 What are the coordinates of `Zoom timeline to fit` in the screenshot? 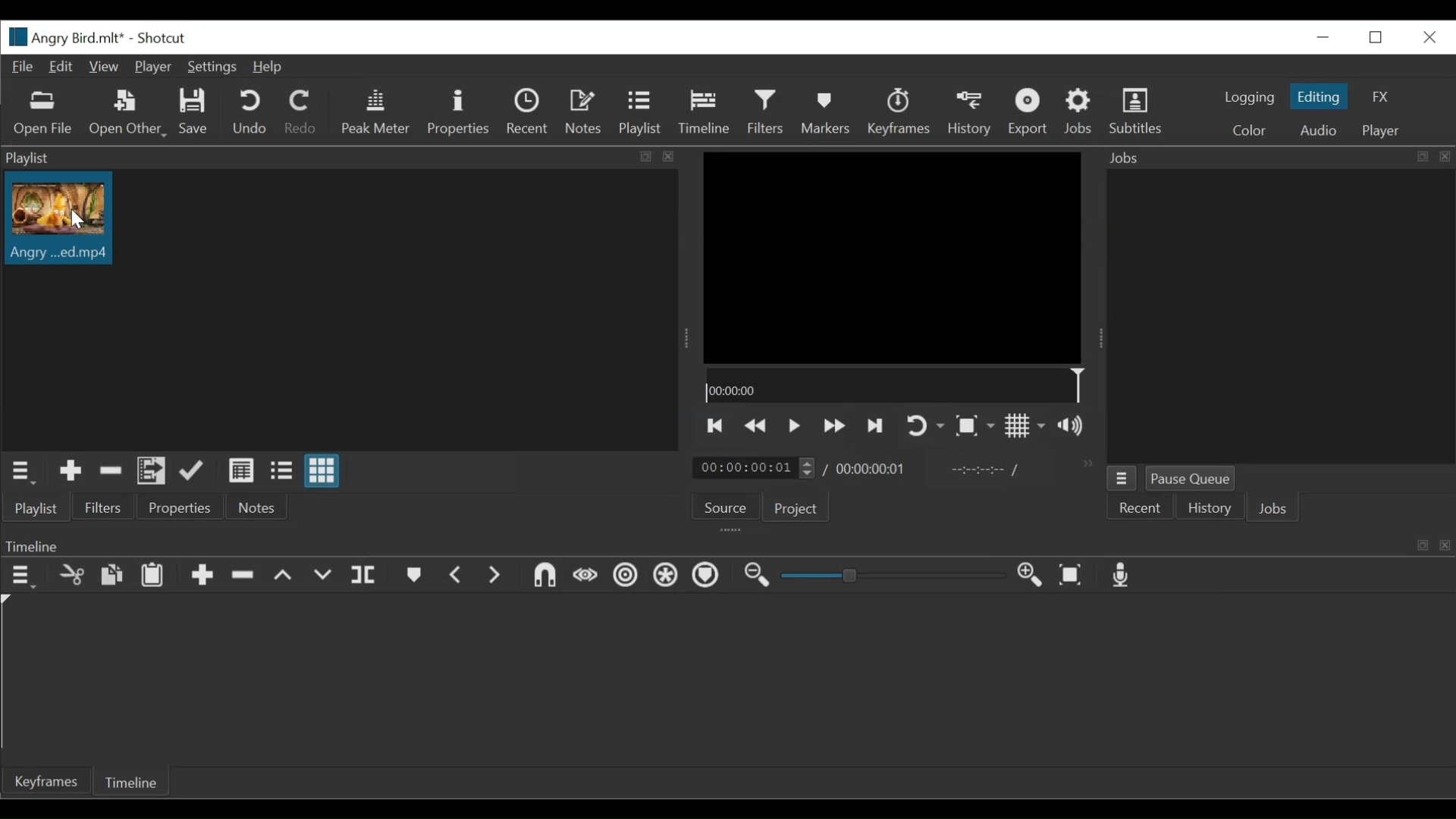 It's located at (1072, 576).